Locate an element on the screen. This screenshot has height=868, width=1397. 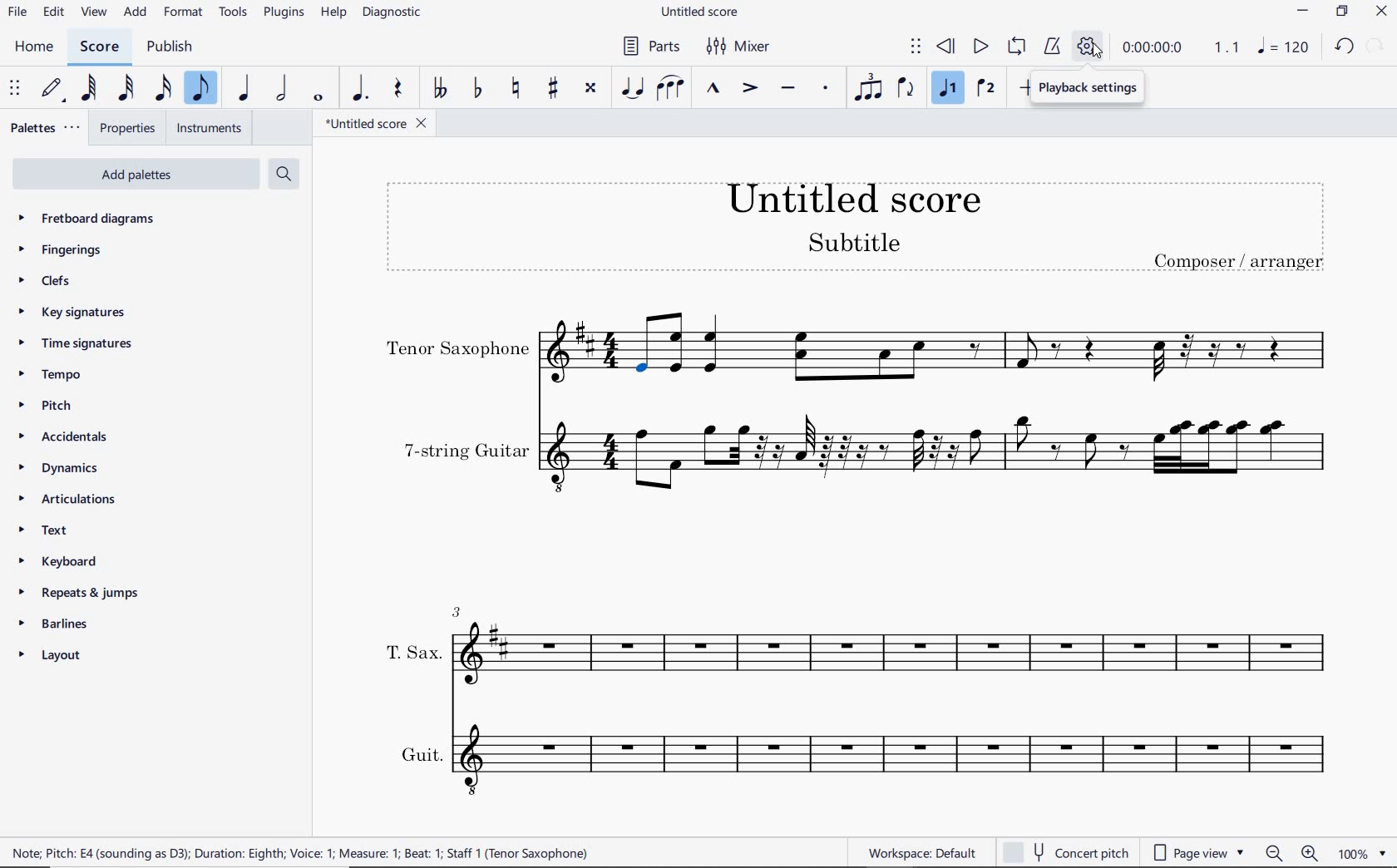
ACCENT is located at coordinates (748, 90).